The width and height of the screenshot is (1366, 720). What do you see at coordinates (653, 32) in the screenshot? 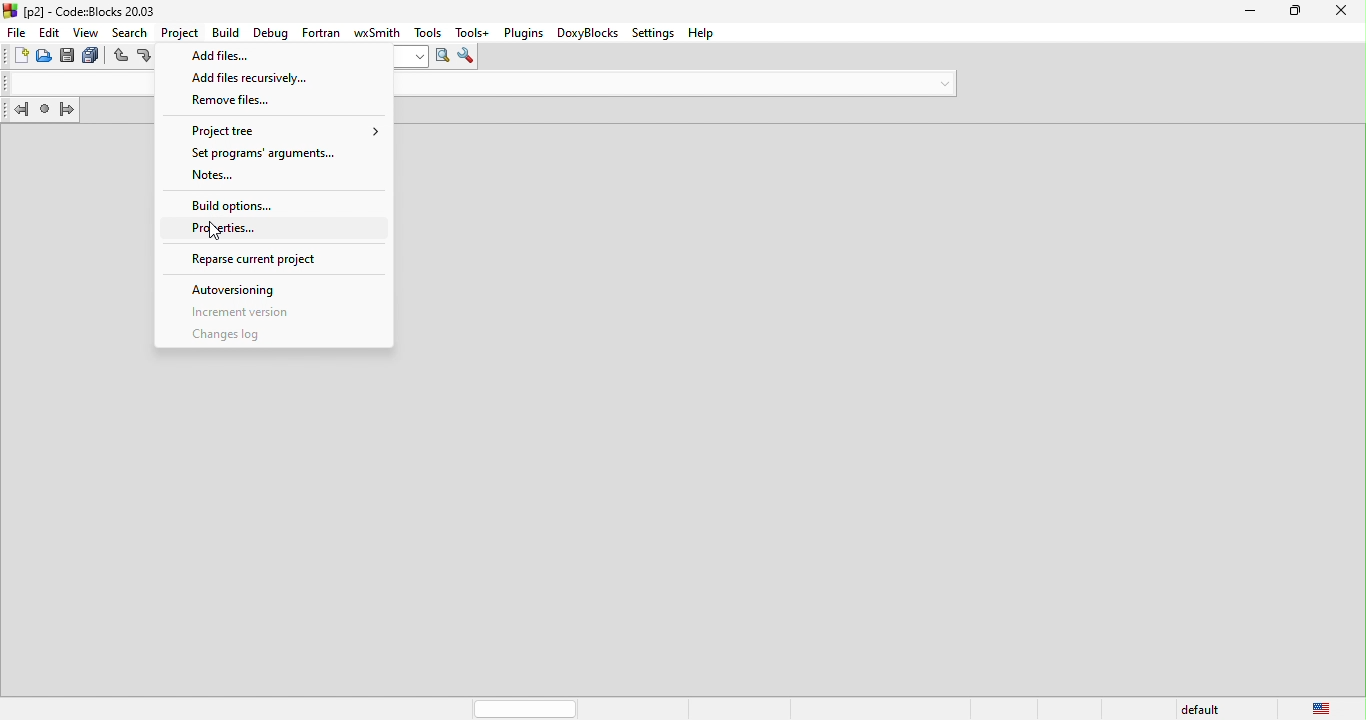
I see `settings` at bounding box center [653, 32].